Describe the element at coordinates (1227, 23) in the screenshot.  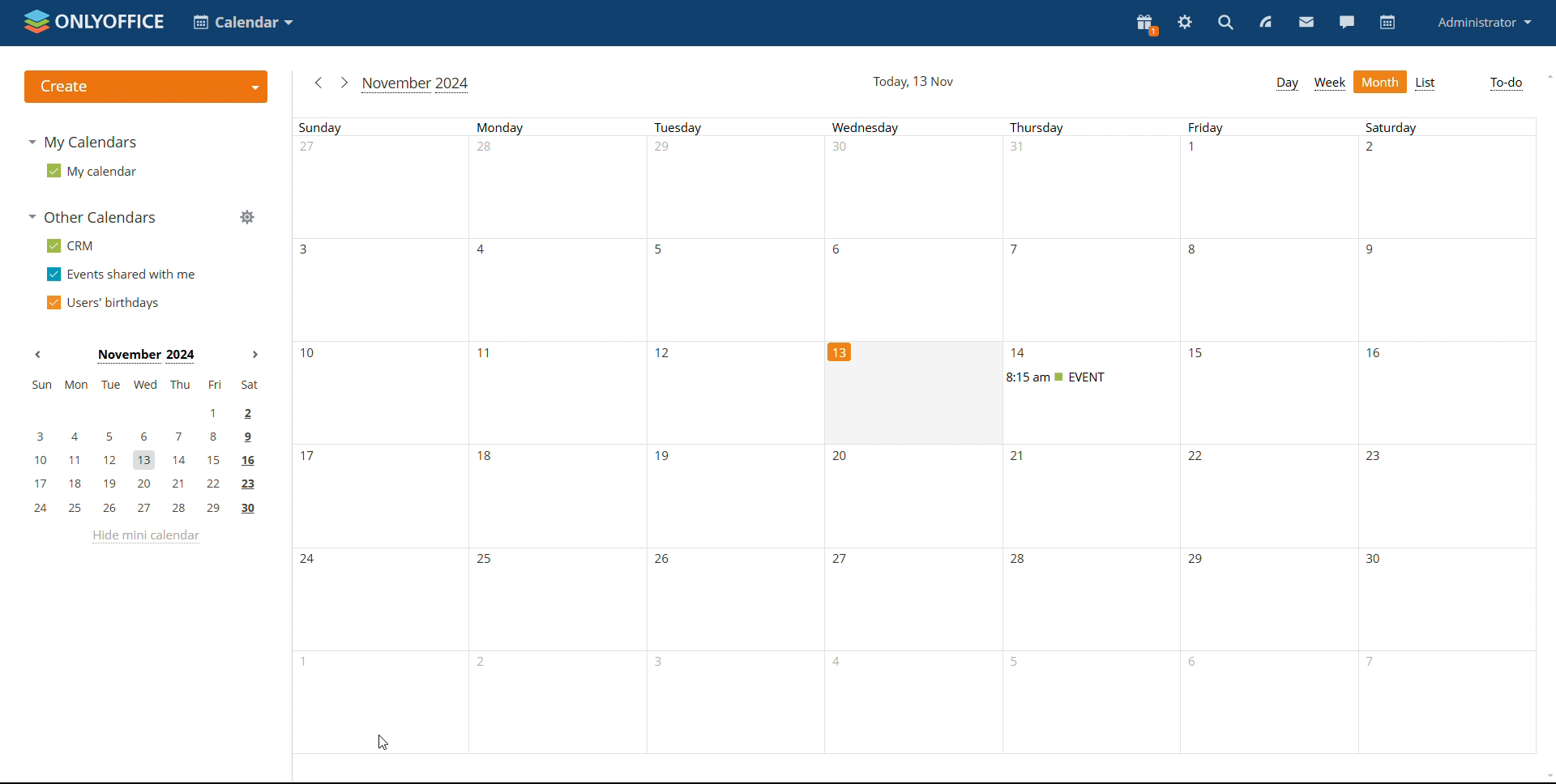
I see `search` at that location.